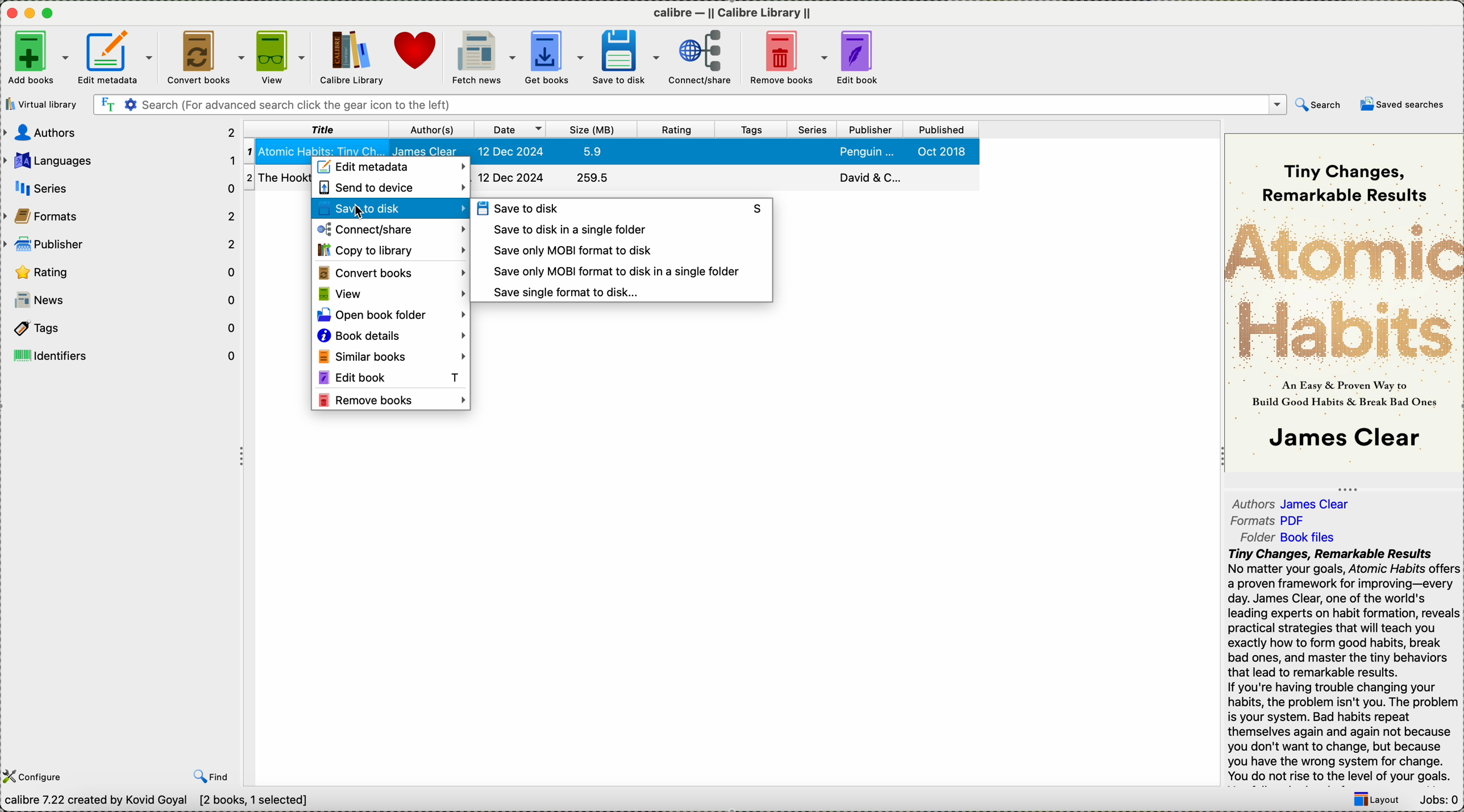 The height and width of the screenshot is (812, 1464). What do you see at coordinates (392, 377) in the screenshot?
I see `edit book` at bounding box center [392, 377].